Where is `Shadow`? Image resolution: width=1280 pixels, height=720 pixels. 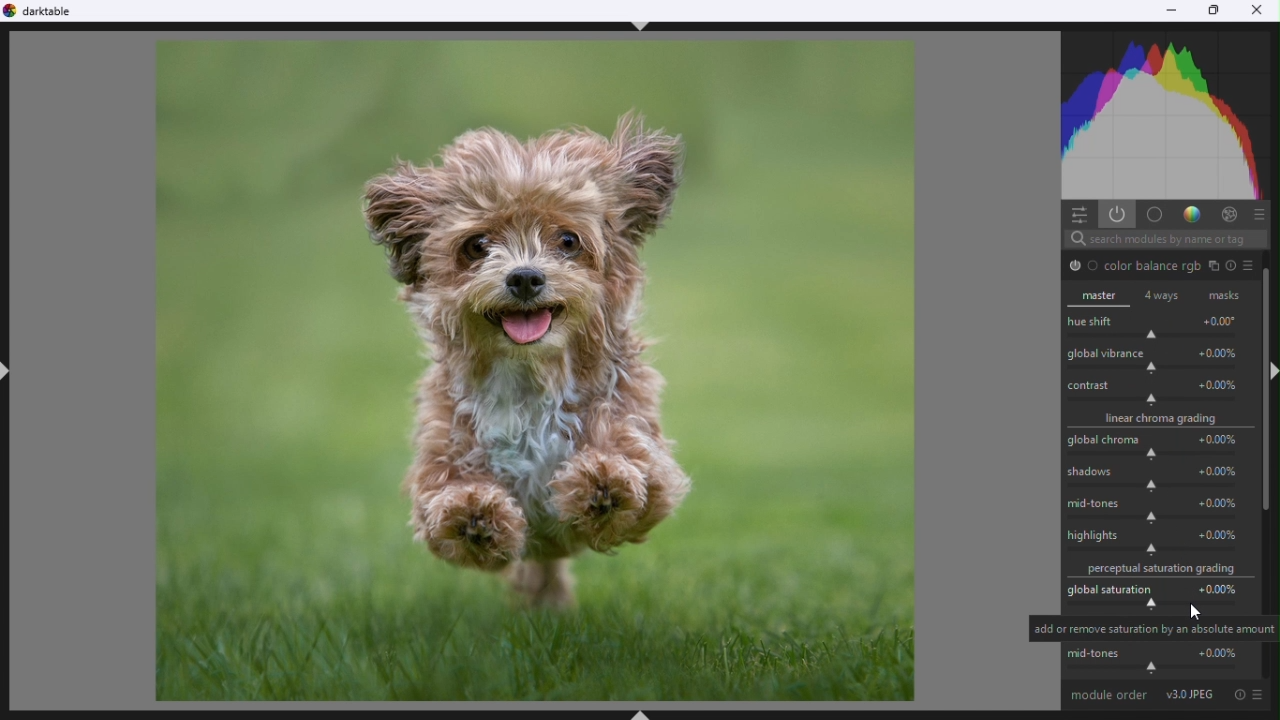 Shadow is located at coordinates (1162, 478).